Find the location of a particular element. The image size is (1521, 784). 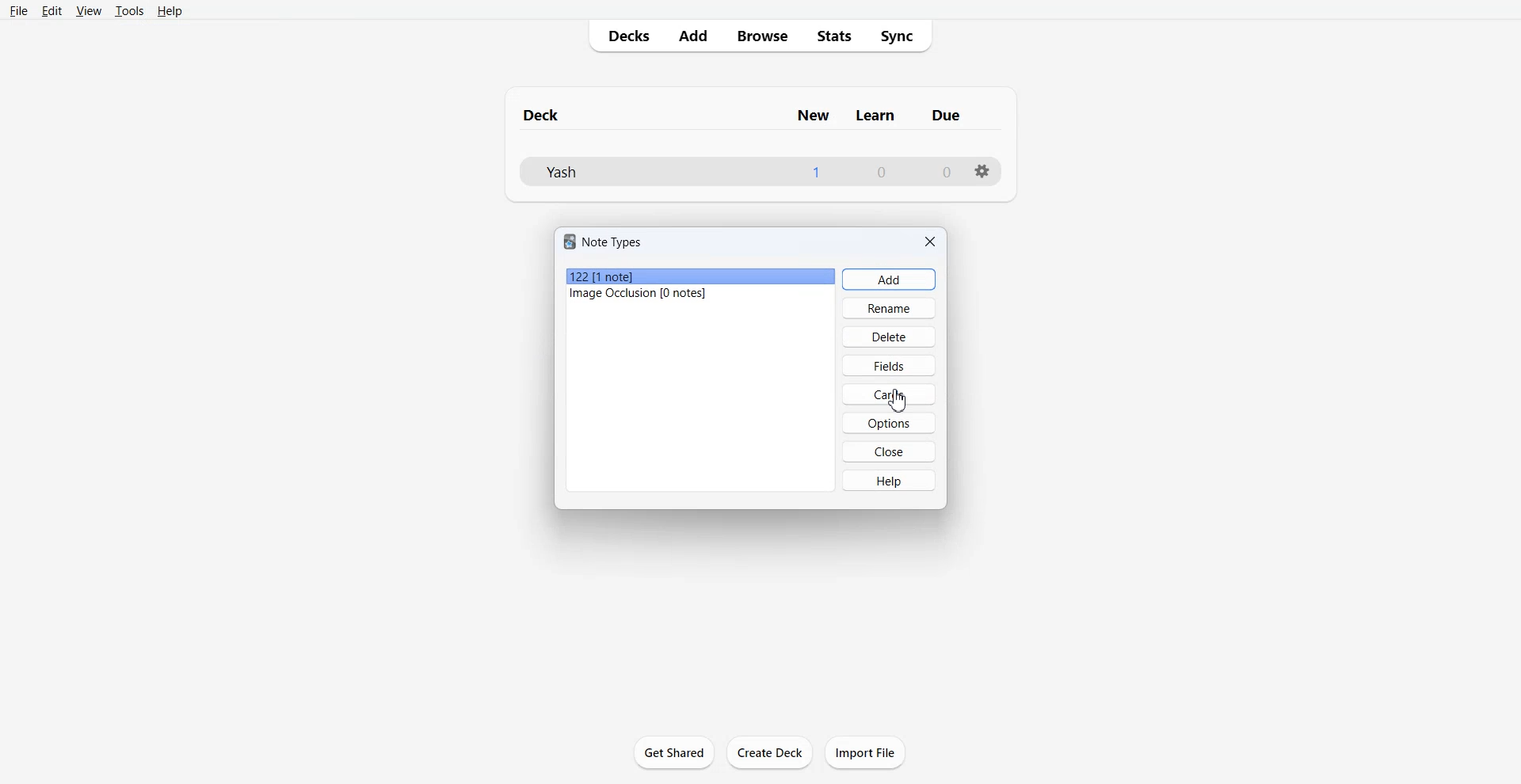

Decks is located at coordinates (625, 36).